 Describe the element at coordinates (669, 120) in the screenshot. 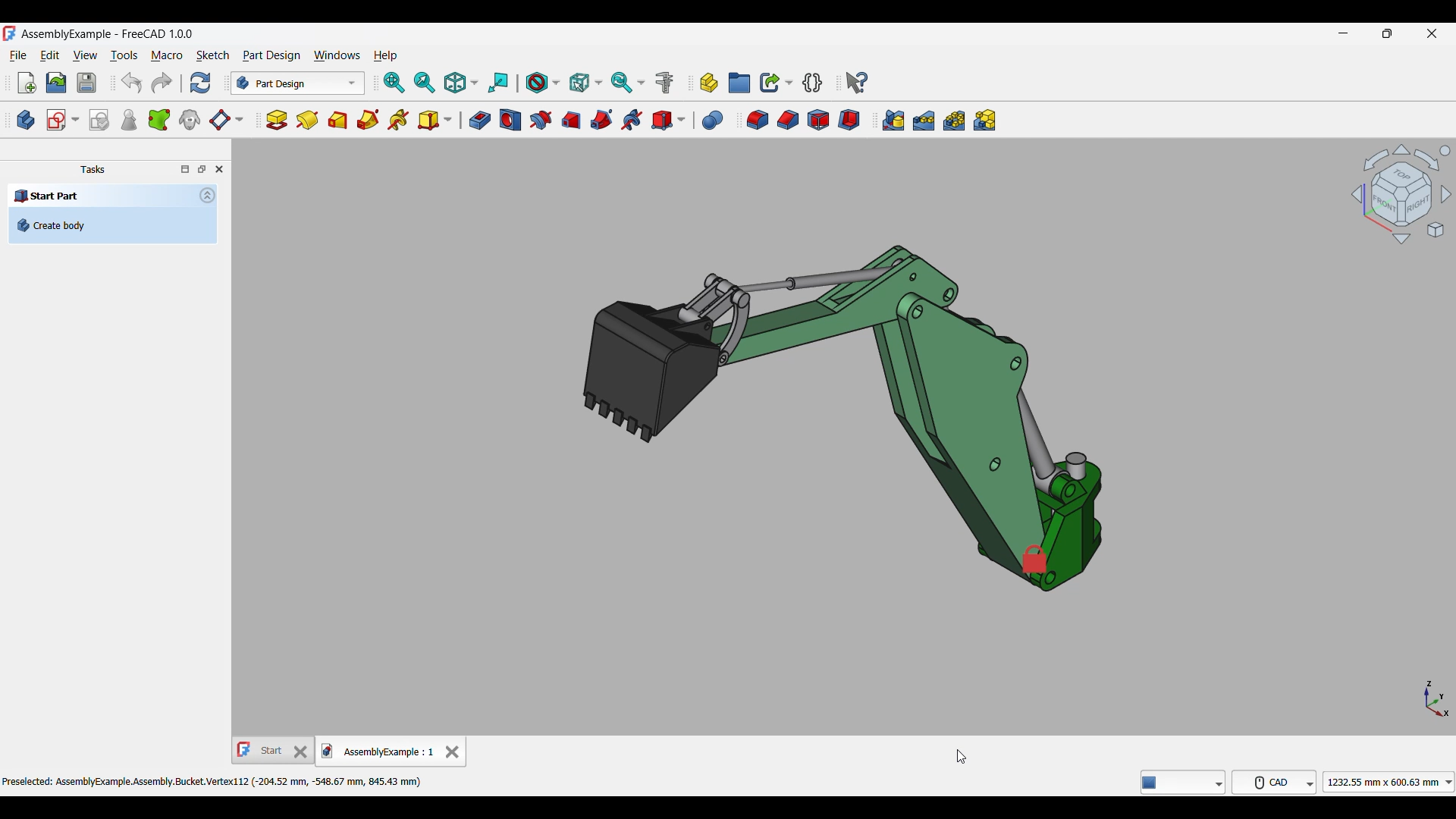

I see `Create a subtractive primitive options` at that location.